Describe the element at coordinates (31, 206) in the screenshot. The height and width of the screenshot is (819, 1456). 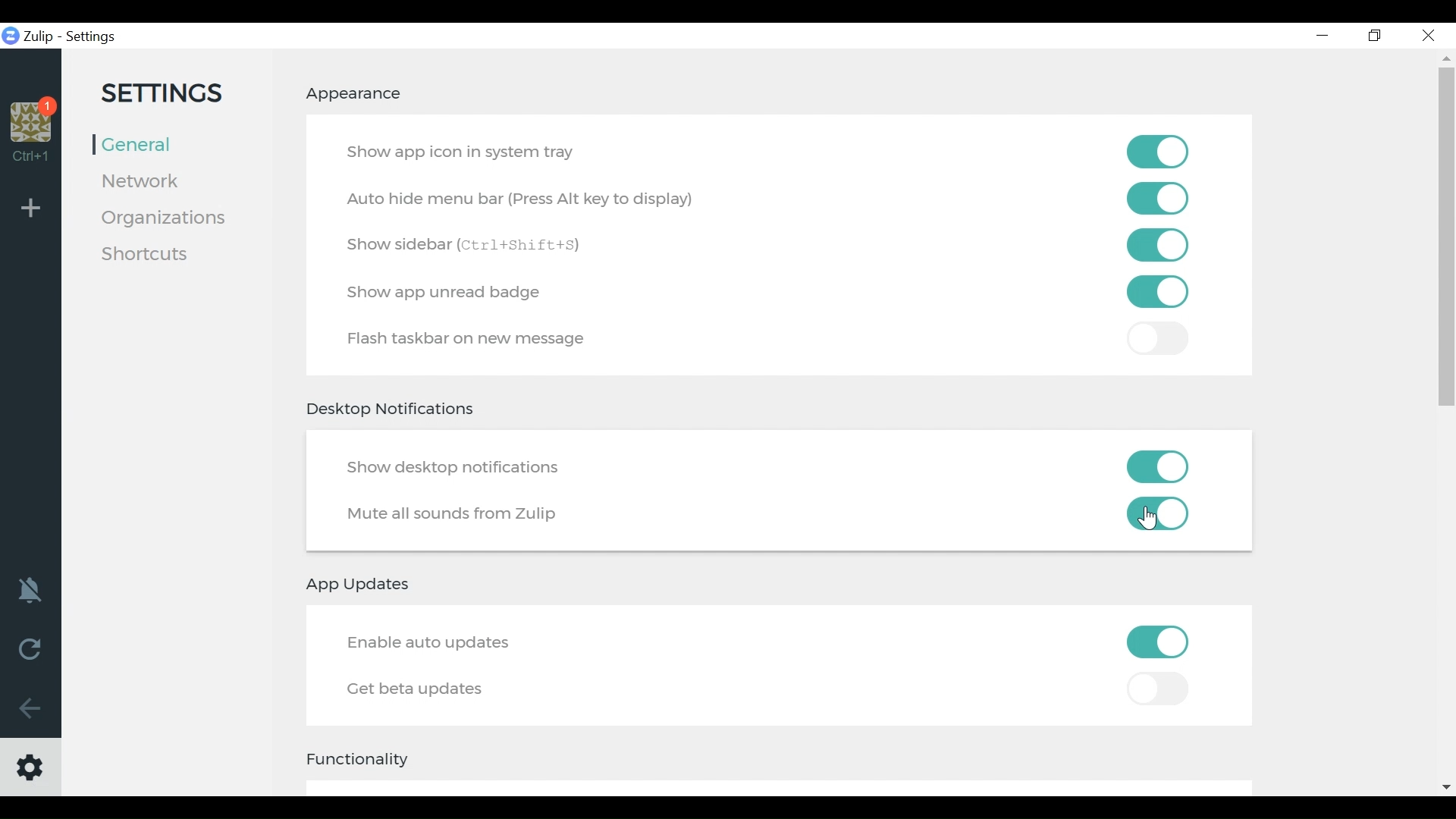
I see `Add Organisation` at that location.